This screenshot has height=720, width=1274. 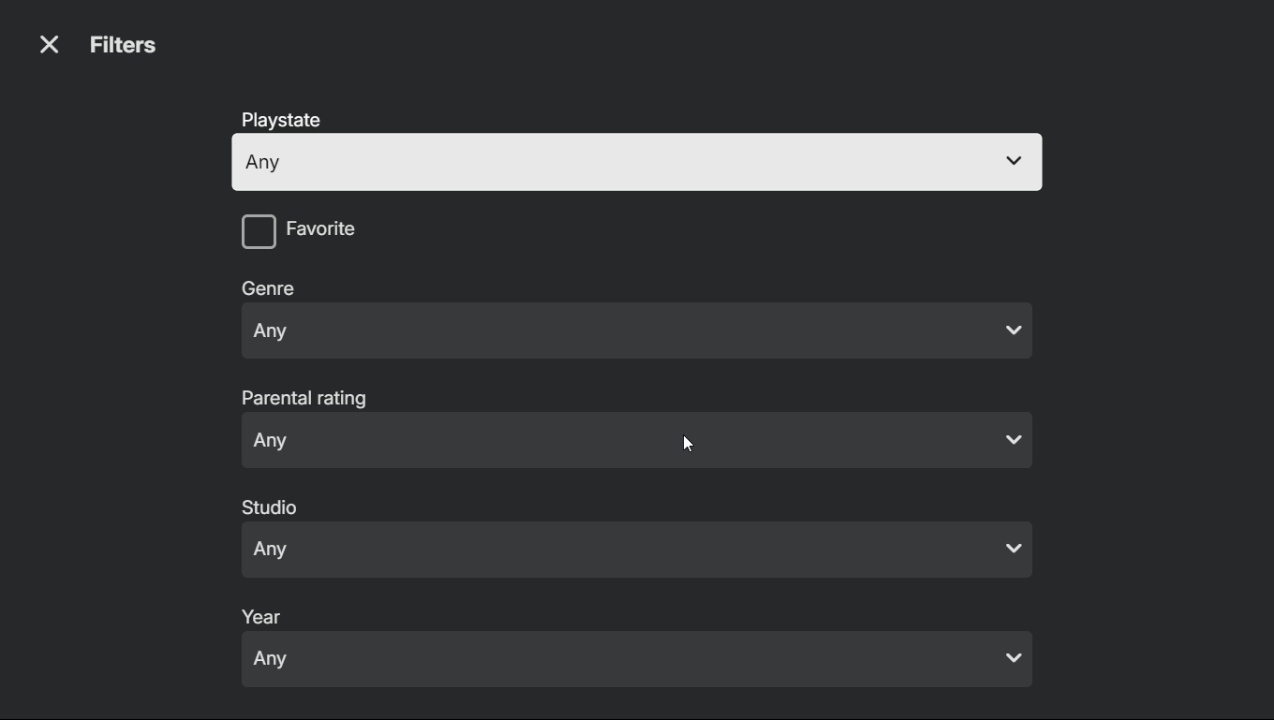 What do you see at coordinates (286, 114) in the screenshot?
I see `playstate` at bounding box center [286, 114].